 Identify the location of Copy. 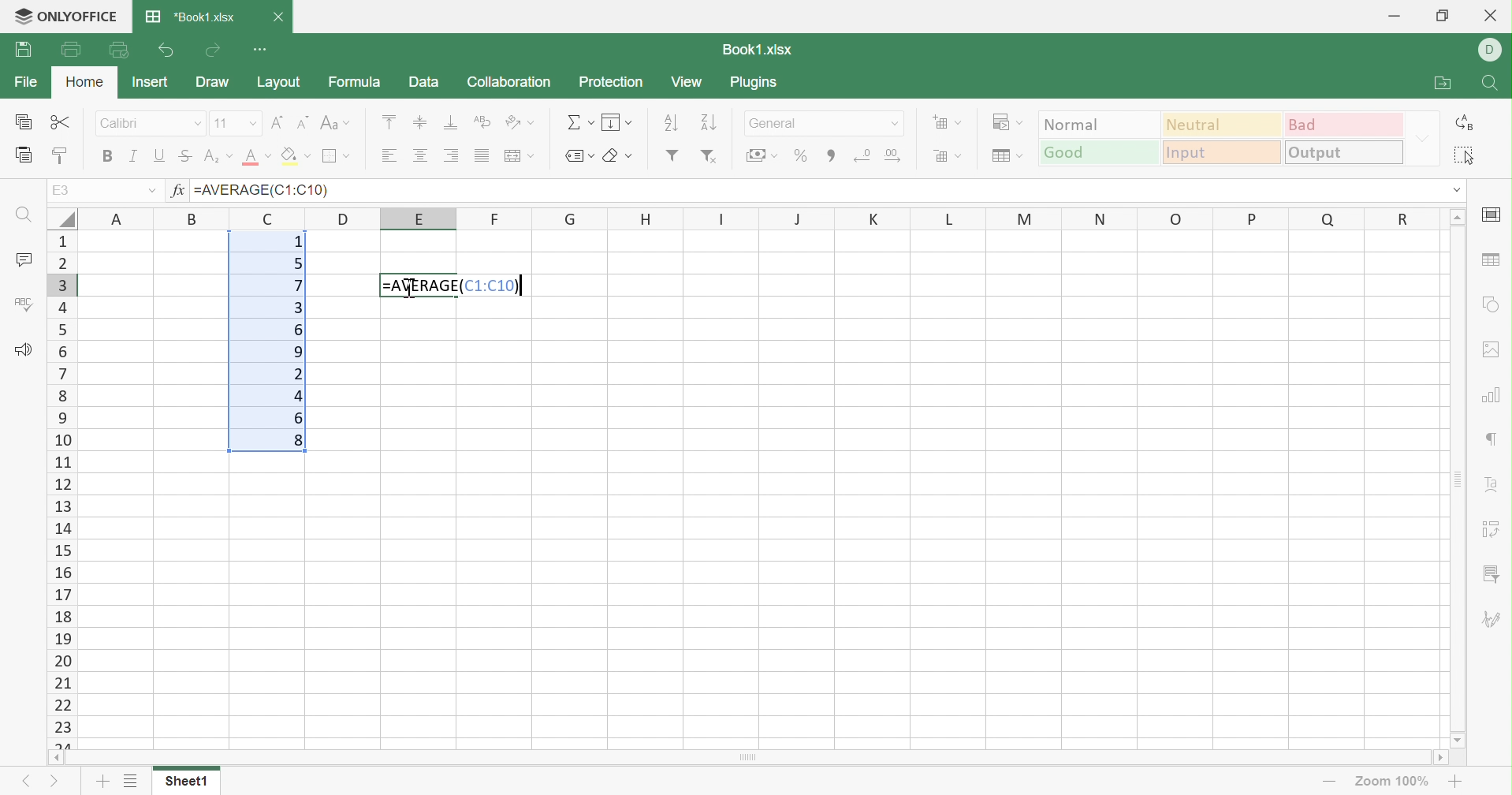
(21, 123).